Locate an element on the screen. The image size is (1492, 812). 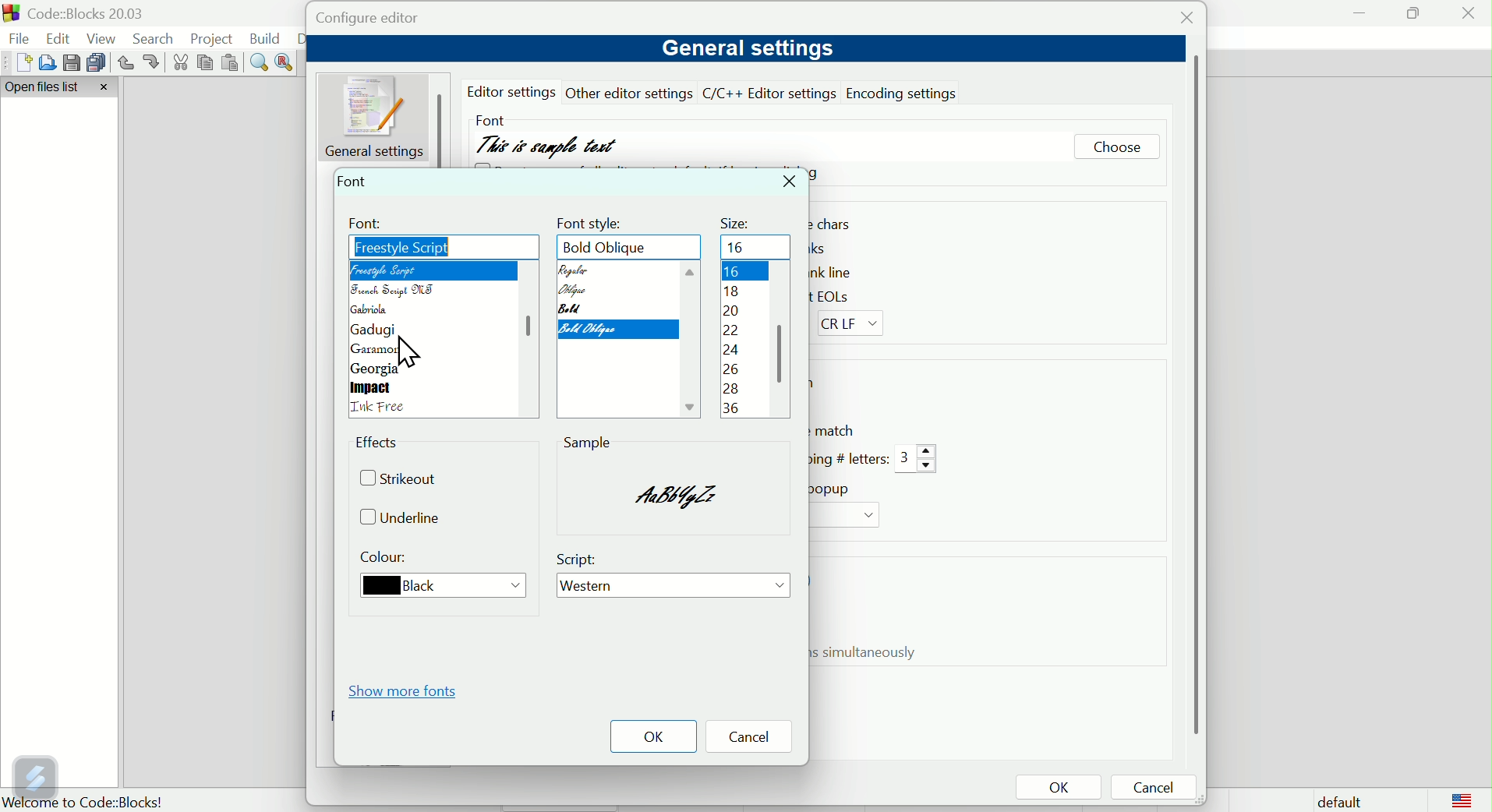
Open file list is located at coordinates (61, 88).